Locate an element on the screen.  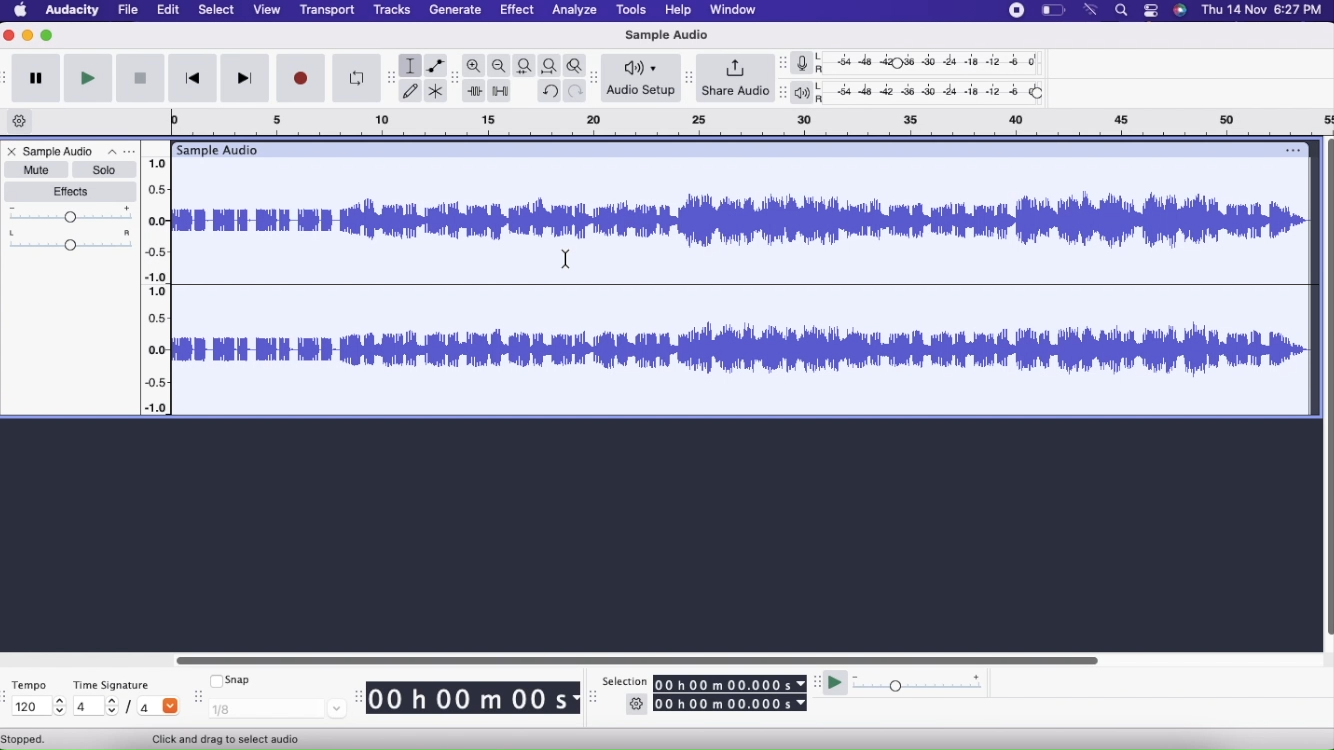
Trim audio outside selection is located at coordinates (475, 89).